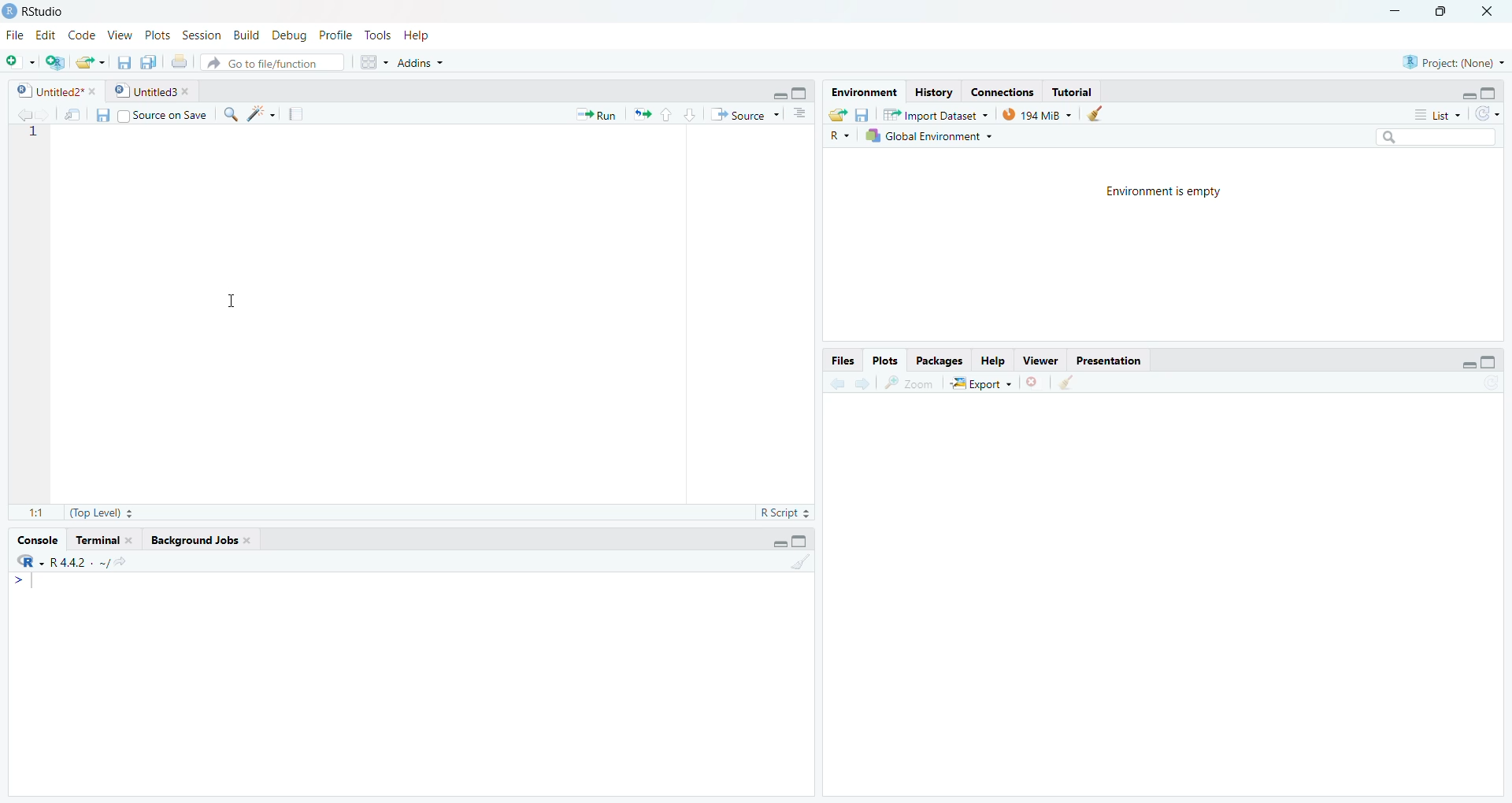  What do you see at coordinates (838, 113) in the screenshot?
I see `Load workspace` at bounding box center [838, 113].